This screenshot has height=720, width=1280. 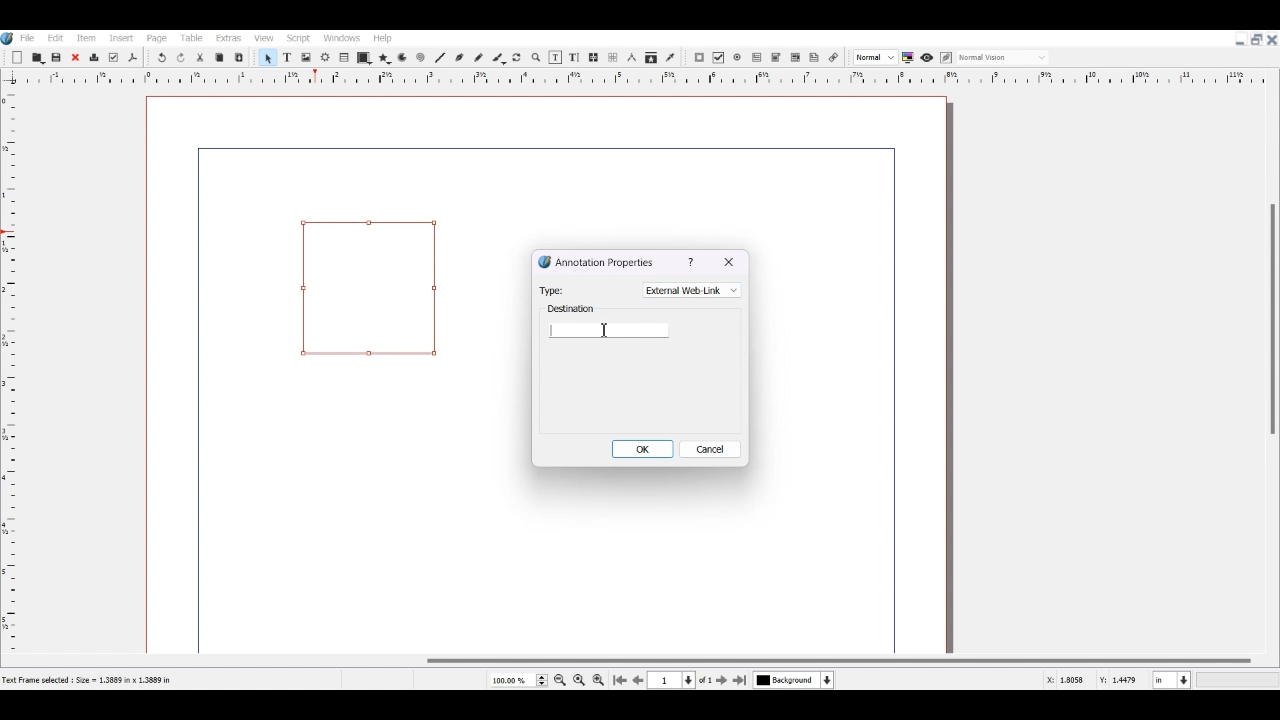 I want to click on External Web Link, so click(x=692, y=290).